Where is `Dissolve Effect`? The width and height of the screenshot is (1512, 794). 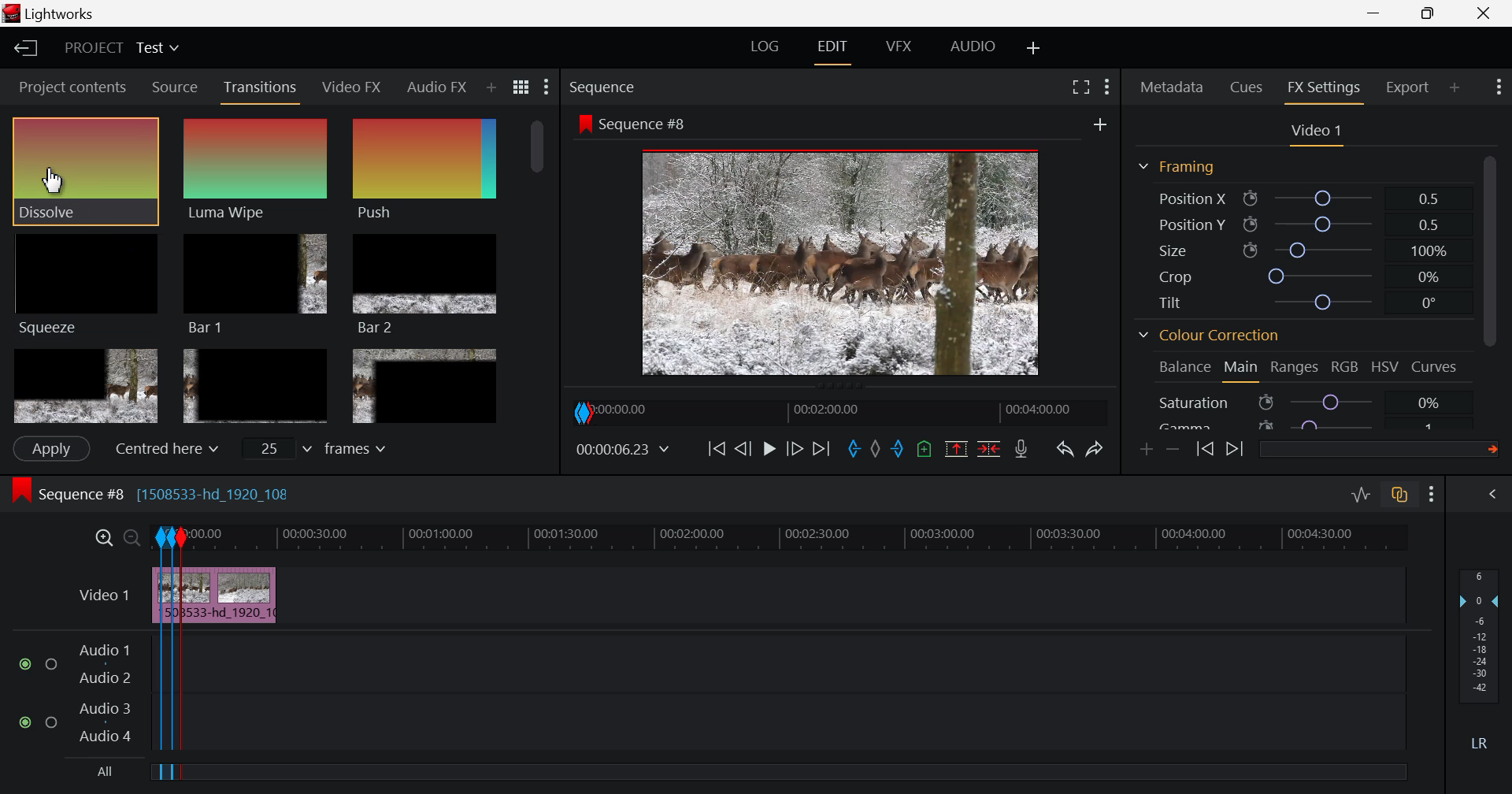
Dissolve Effect is located at coordinates (261, 174).